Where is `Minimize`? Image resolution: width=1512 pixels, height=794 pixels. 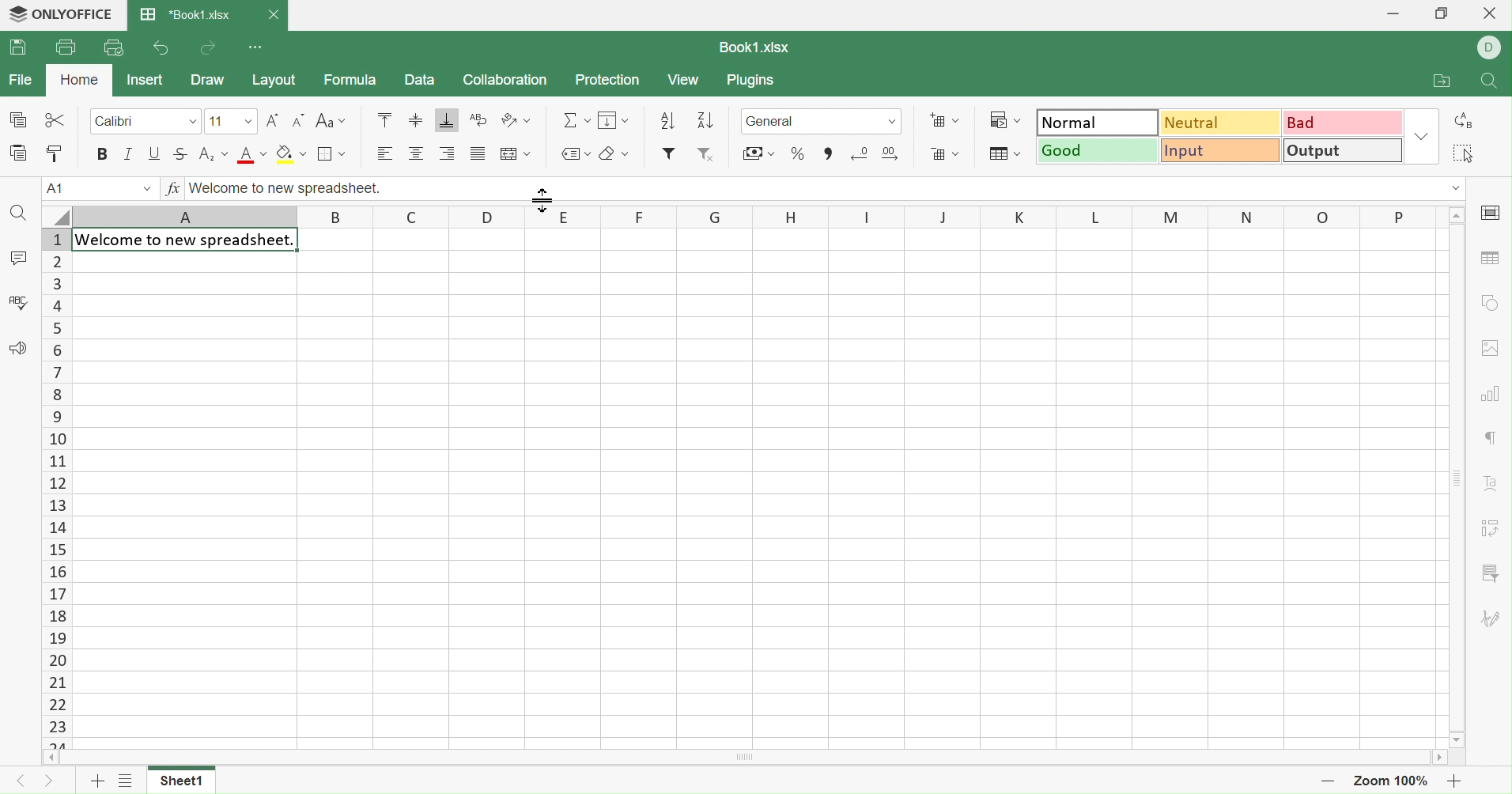
Minimize is located at coordinates (1387, 13).